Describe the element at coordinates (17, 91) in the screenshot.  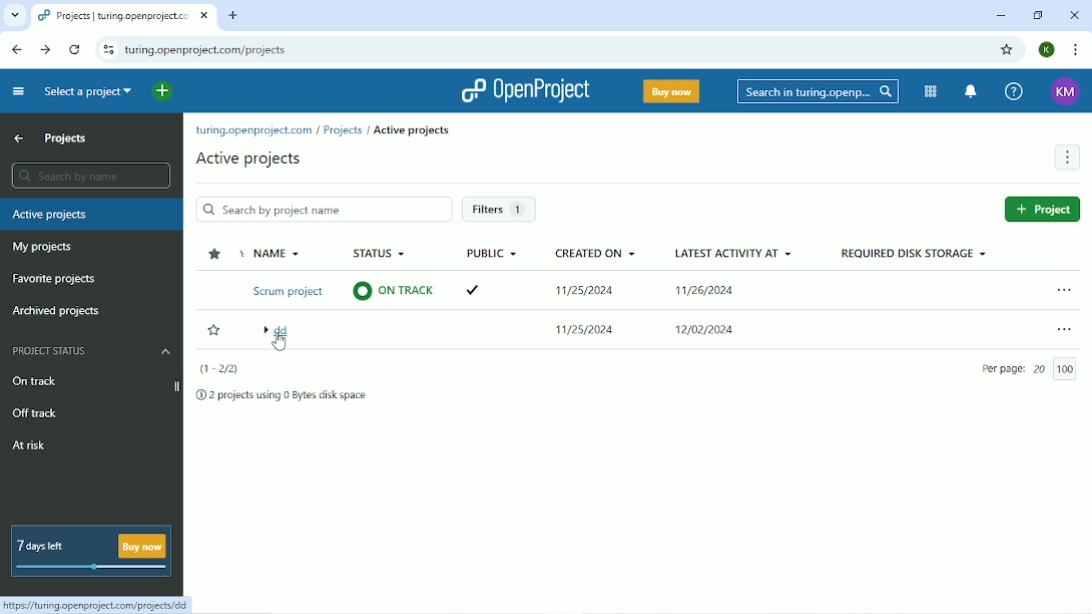
I see `Collapse project menu` at that location.